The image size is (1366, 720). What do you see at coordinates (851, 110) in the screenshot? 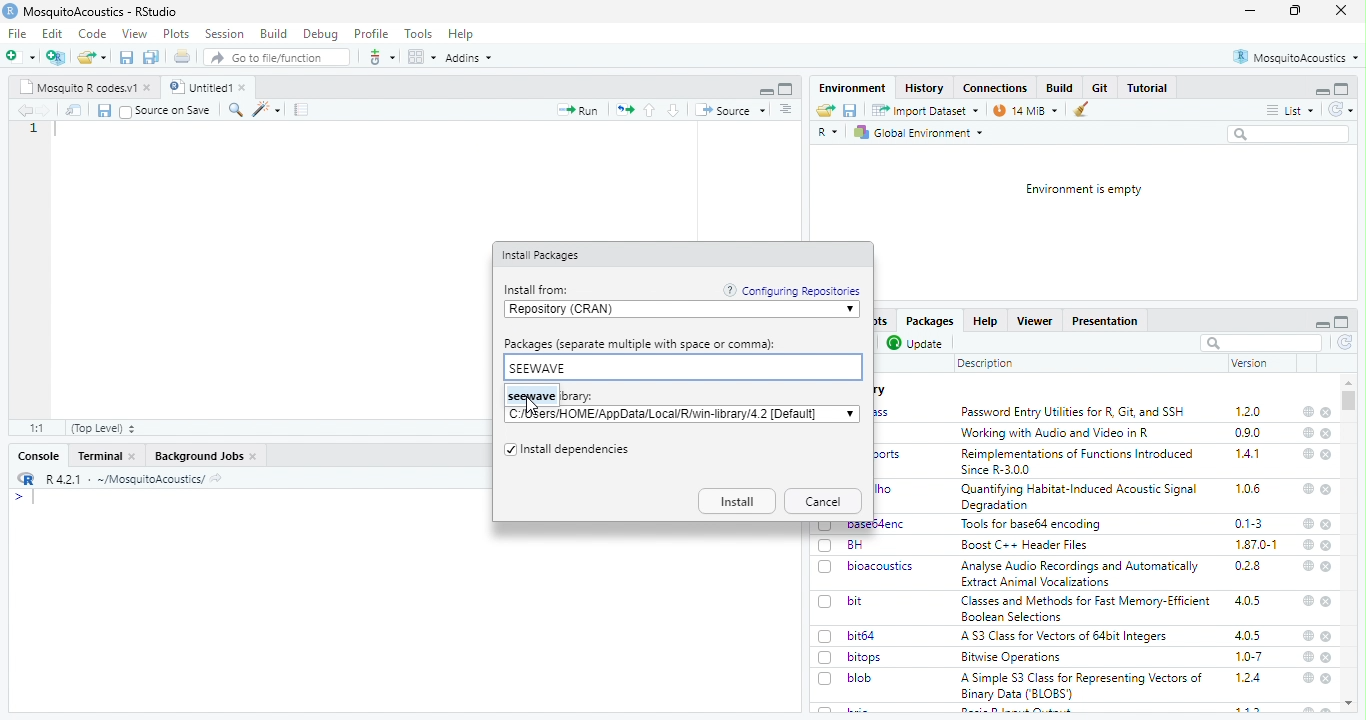
I see `save` at bounding box center [851, 110].